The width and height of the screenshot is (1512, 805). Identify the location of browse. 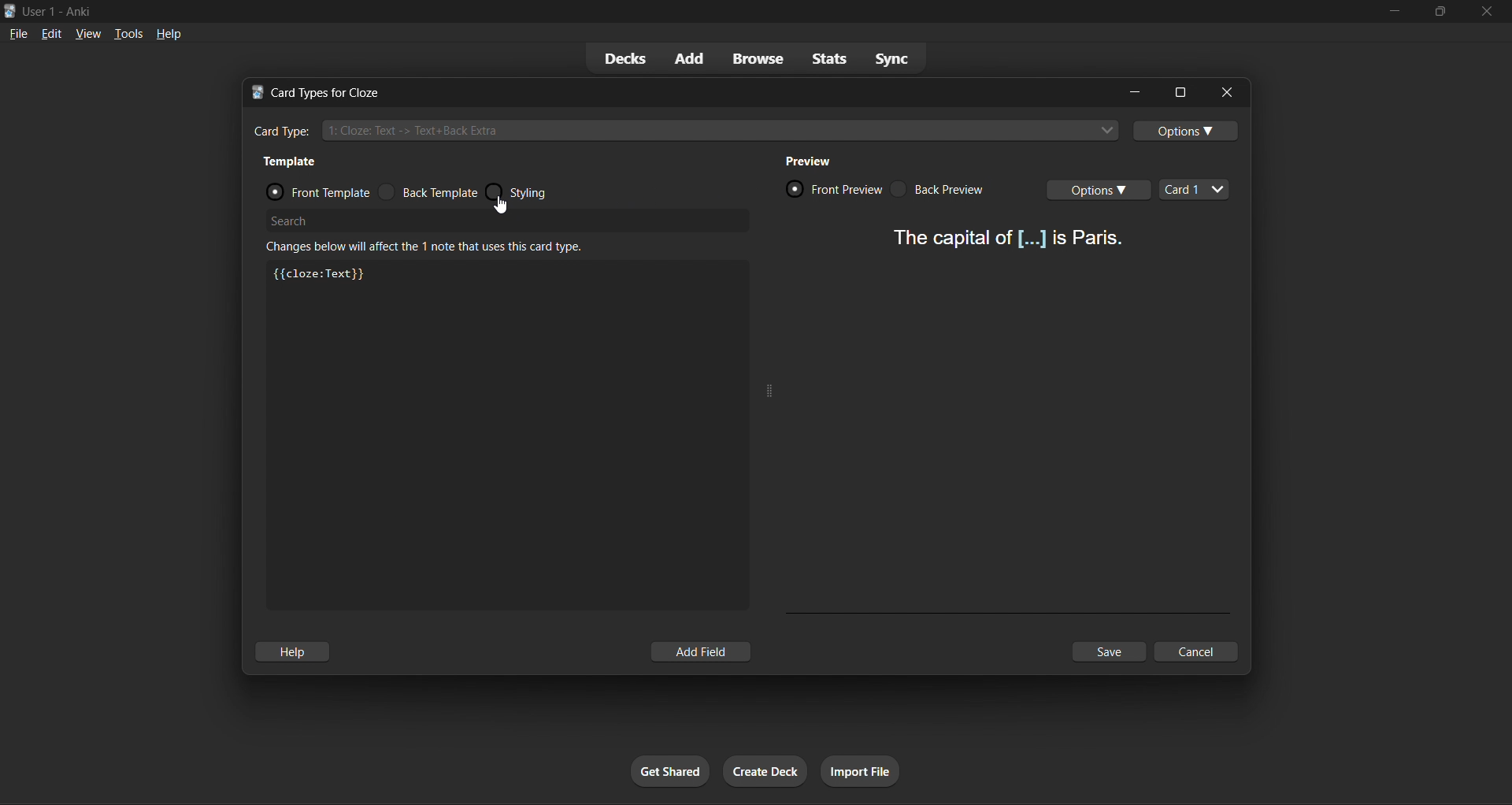
(755, 58).